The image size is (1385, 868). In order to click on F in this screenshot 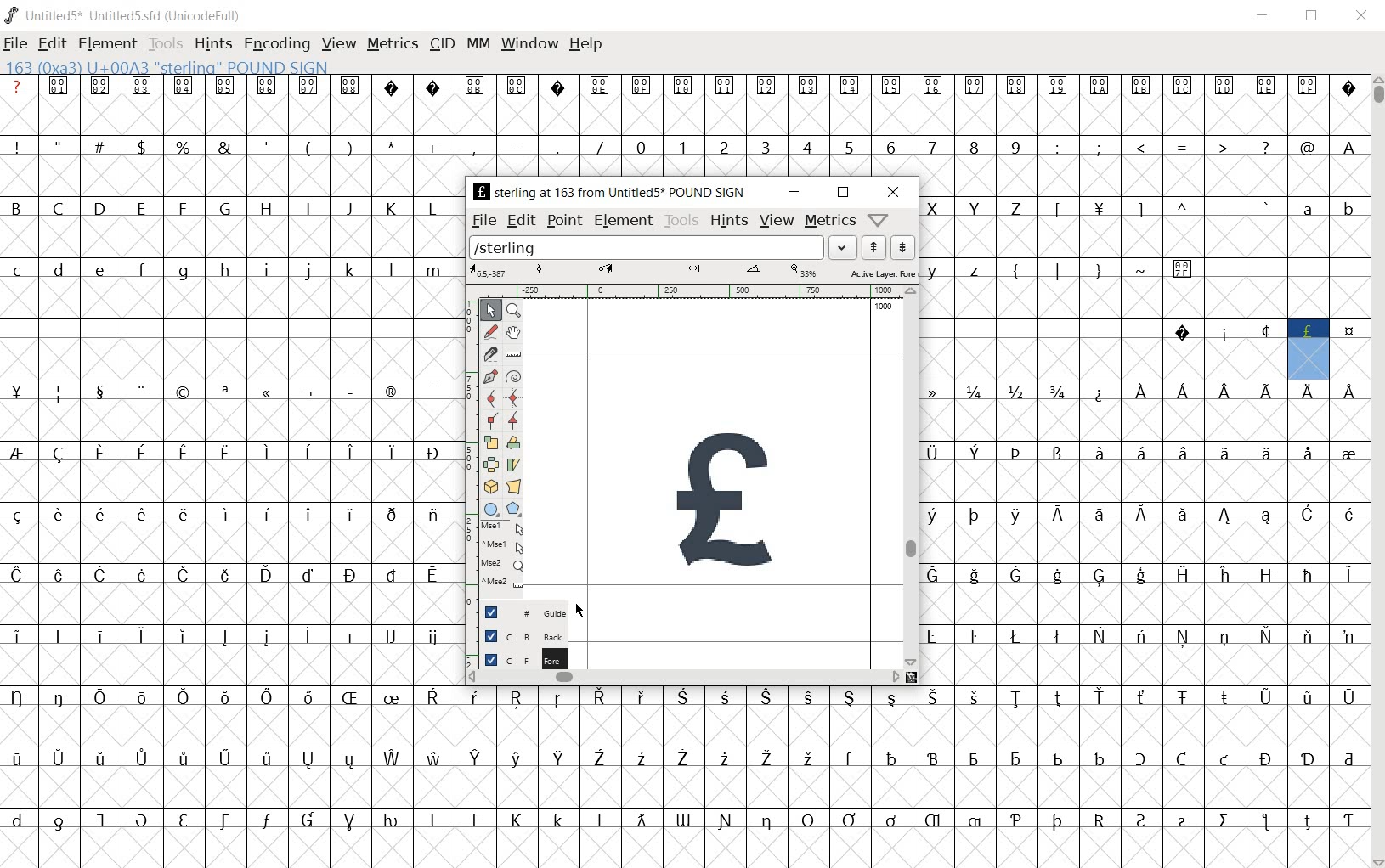, I will do `click(182, 209)`.